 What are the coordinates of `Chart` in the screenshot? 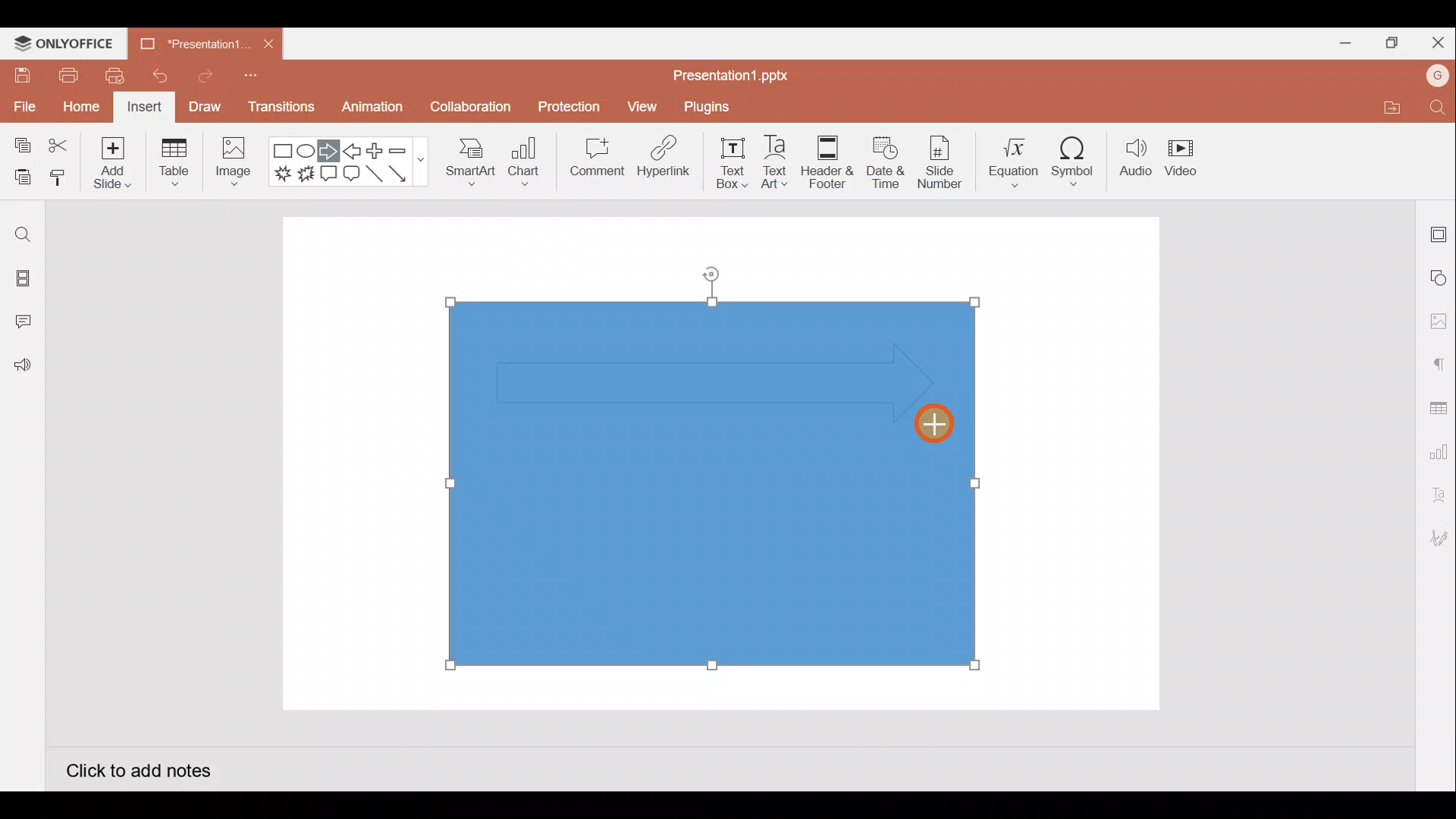 It's located at (525, 160).